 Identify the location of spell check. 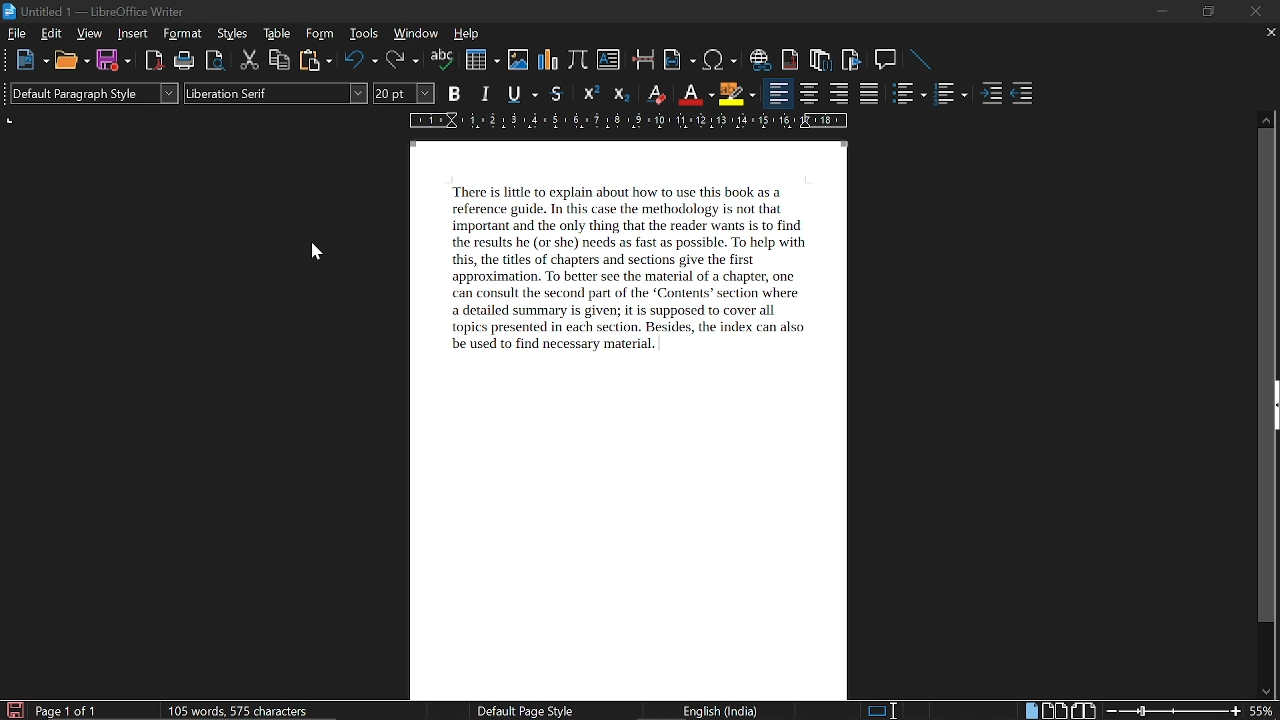
(442, 59).